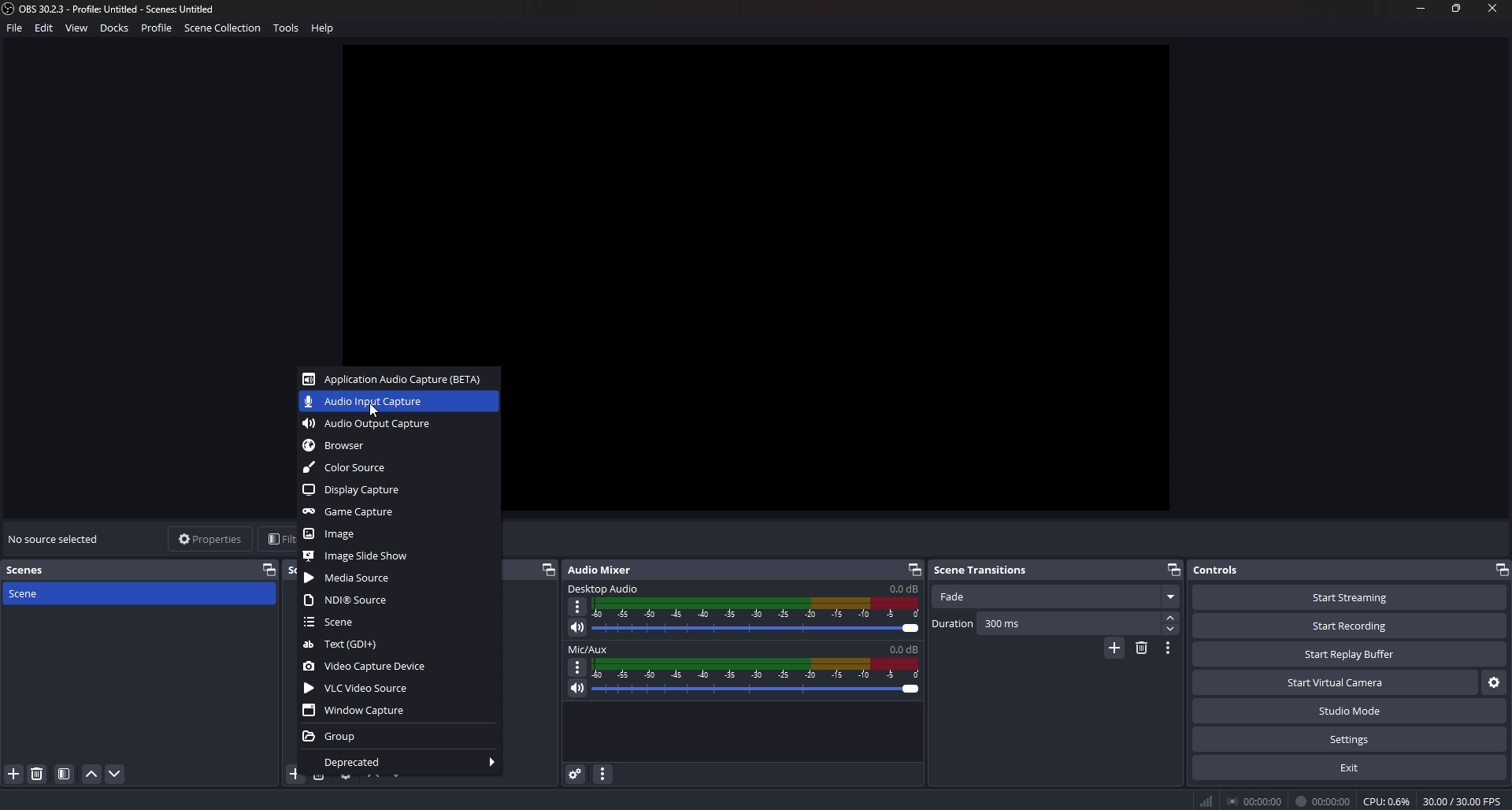 The height and width of the screenshot is (810, 1512). What do you see at coordinates (376, 412) in the screenshot?
I see `cursor` at bounding box center [376, 412].